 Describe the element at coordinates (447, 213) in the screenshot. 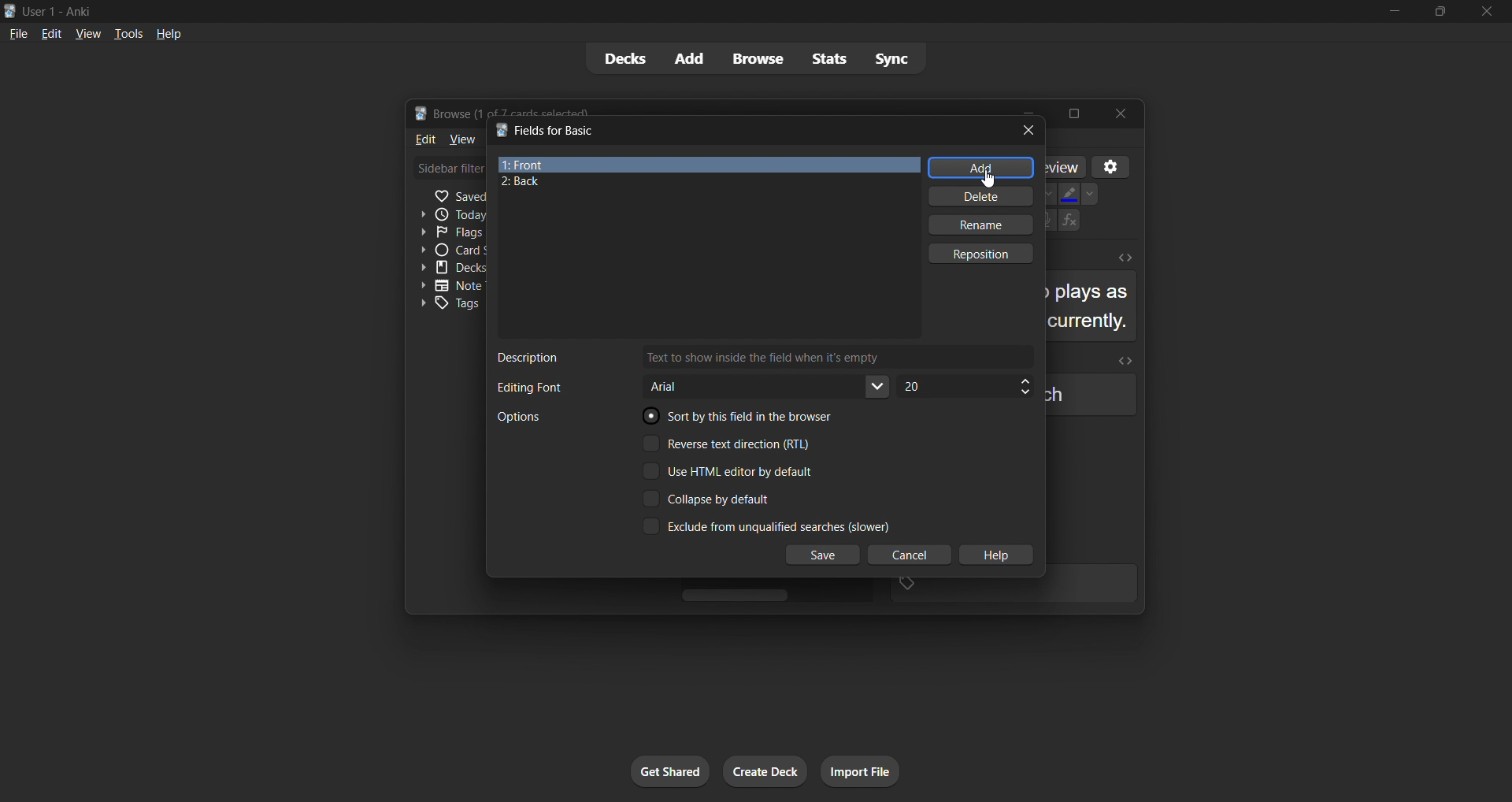

I see `Today` at that location.